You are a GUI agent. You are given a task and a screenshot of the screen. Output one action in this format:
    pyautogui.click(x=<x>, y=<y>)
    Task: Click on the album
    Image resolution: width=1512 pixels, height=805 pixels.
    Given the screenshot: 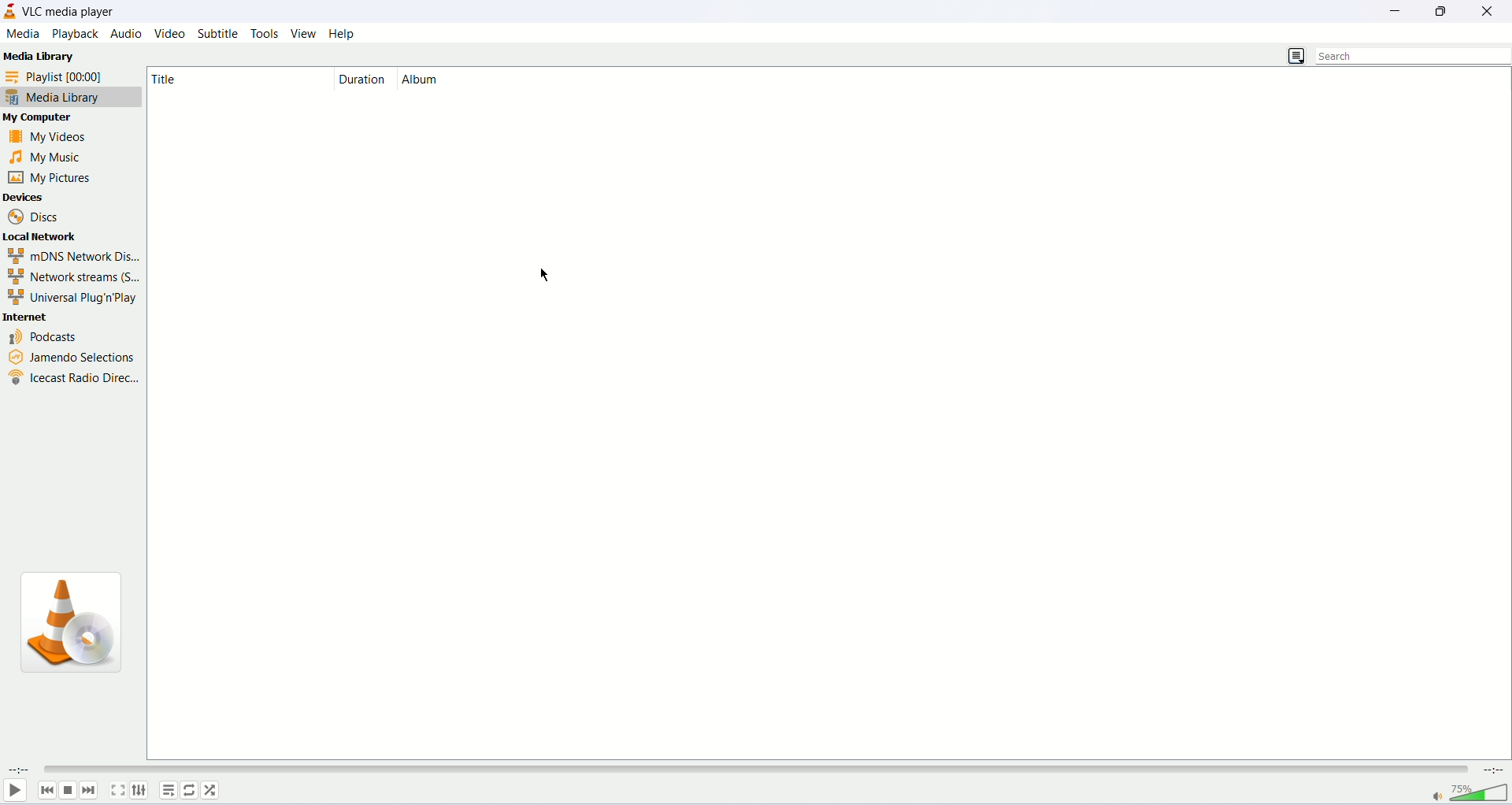 What is the action you would take?
    pyautogui.click(x=423, y=80)
    